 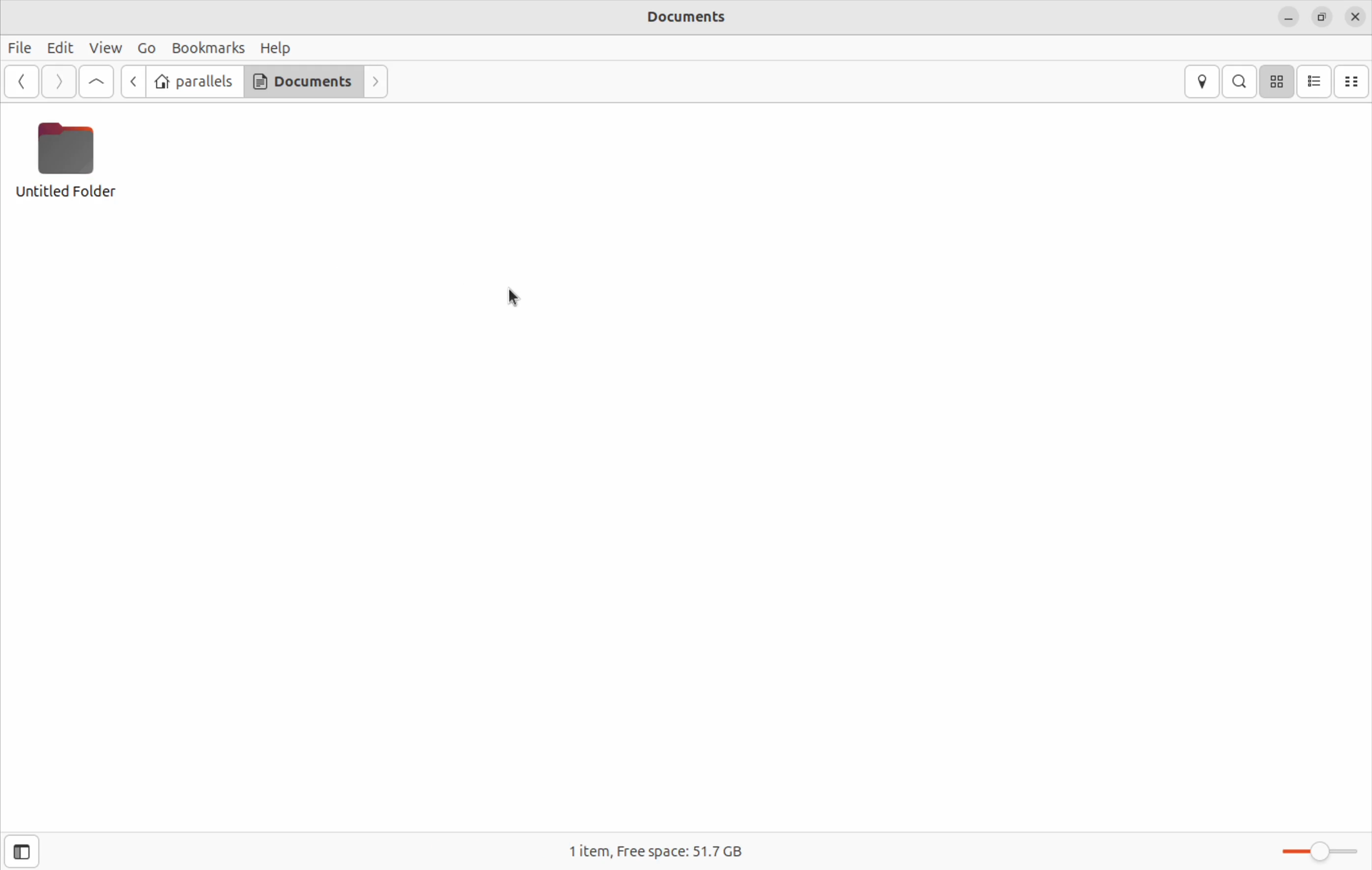 What do you see at coordinates (58, 81) in the screenshot?
I see `forward` at bounding box center [58, 81].